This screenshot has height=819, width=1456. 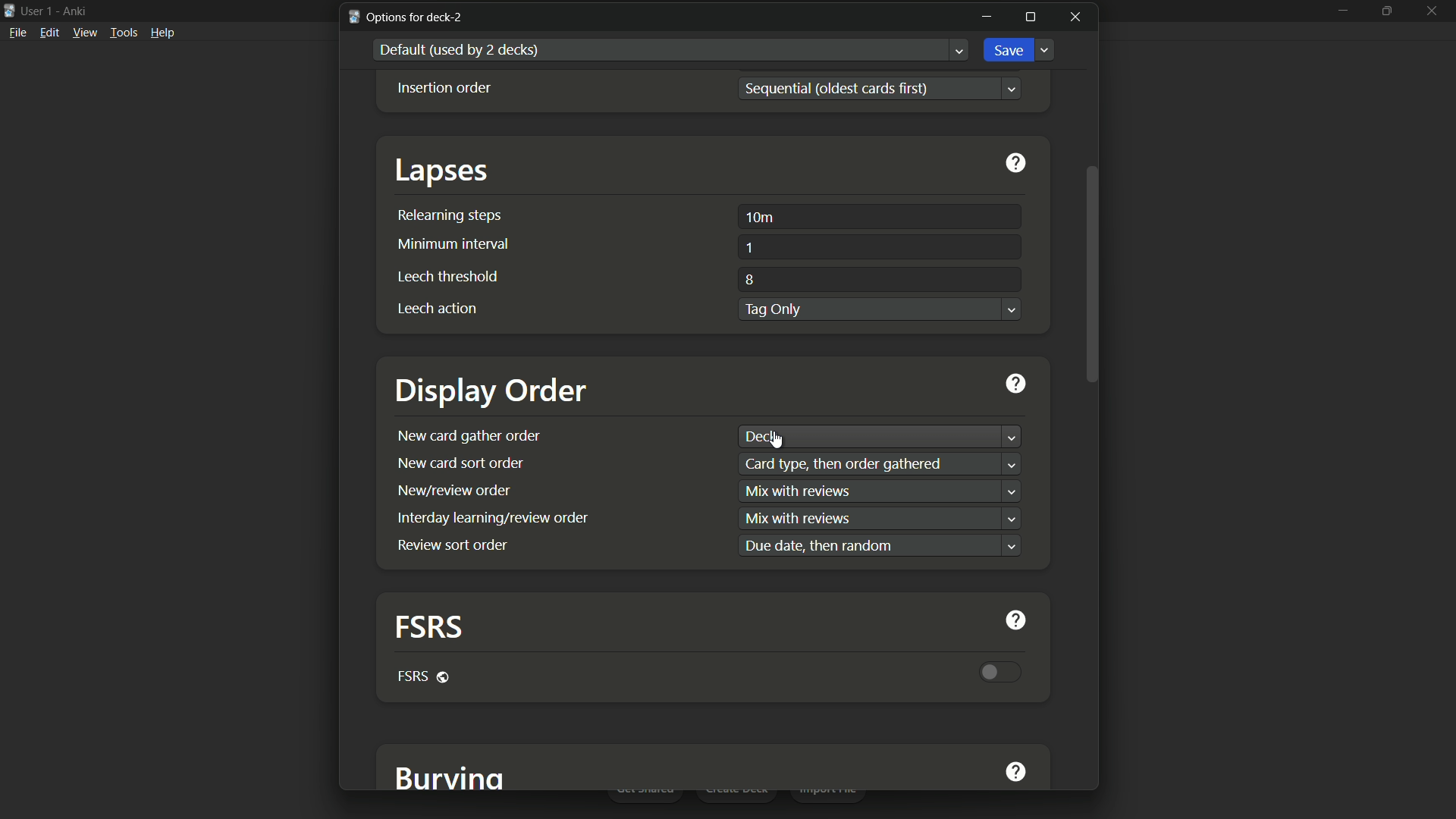 What do you see at coordinates (1009, 89) in the screenshot?
I see `Dropdown` at bounding box center [1009, 89].